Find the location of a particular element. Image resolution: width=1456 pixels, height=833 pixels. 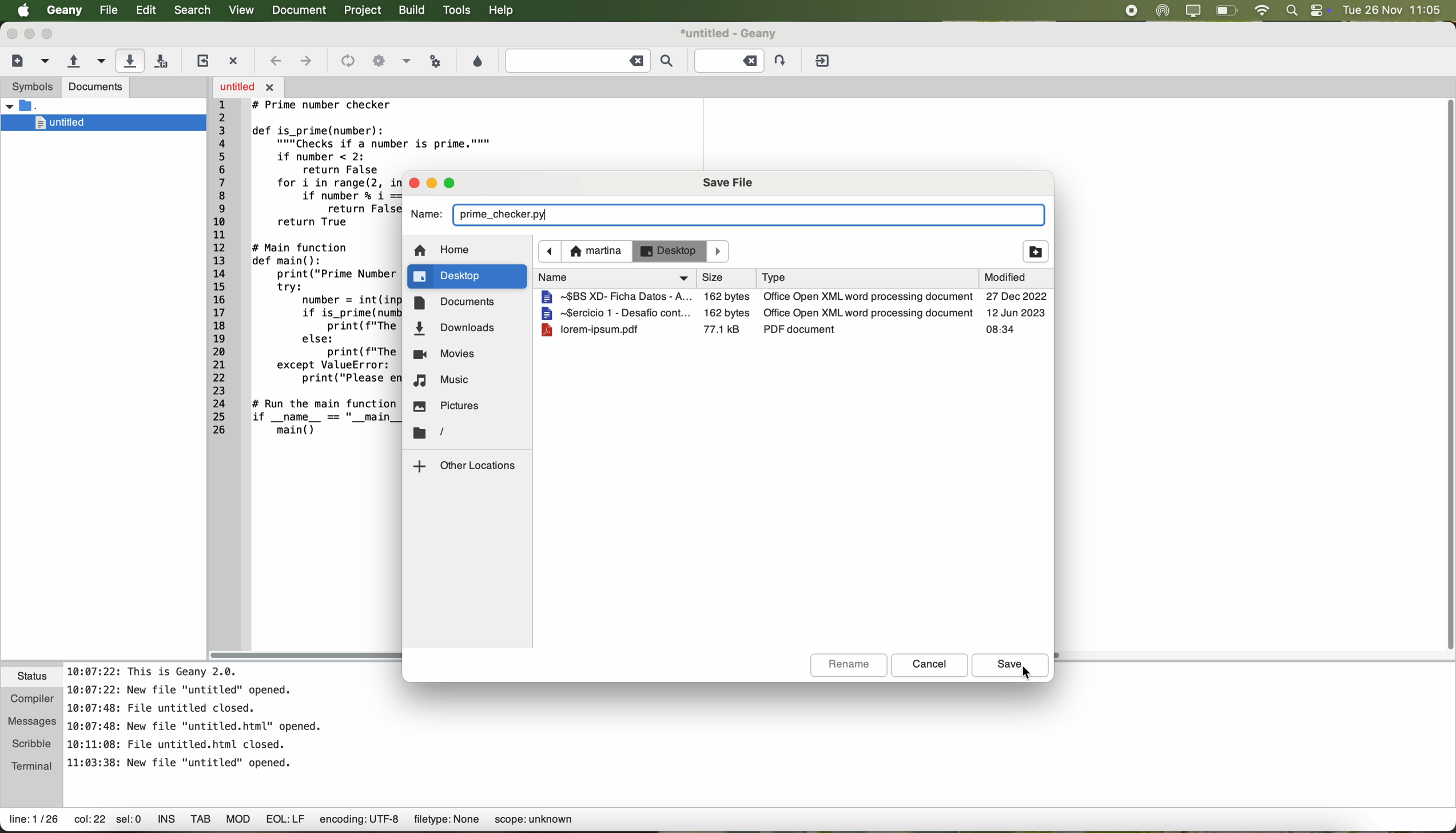

find the entered text in the current file is located at coordinates (590, 62).